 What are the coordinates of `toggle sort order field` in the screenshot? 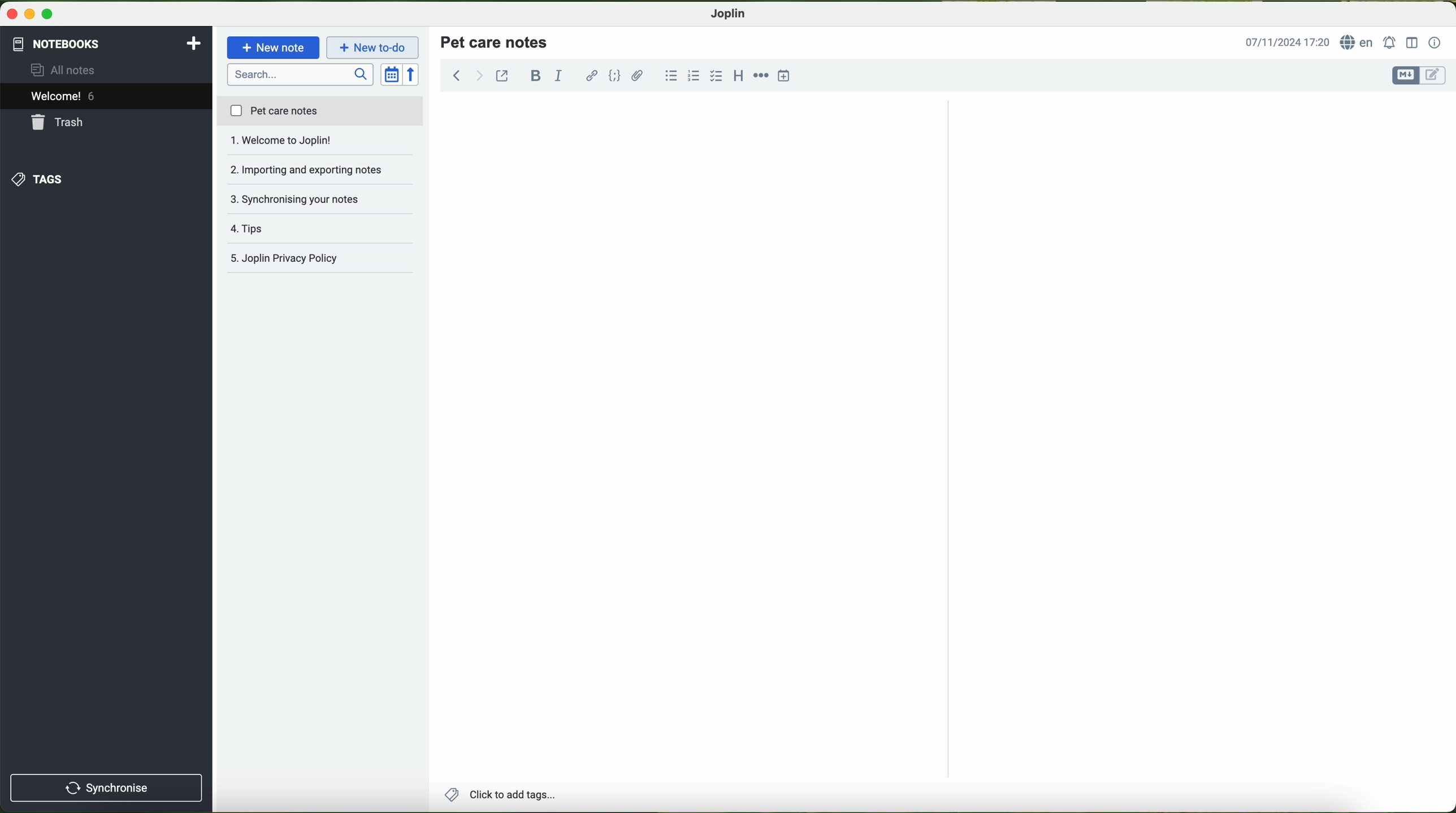 It's located at (392, 75).